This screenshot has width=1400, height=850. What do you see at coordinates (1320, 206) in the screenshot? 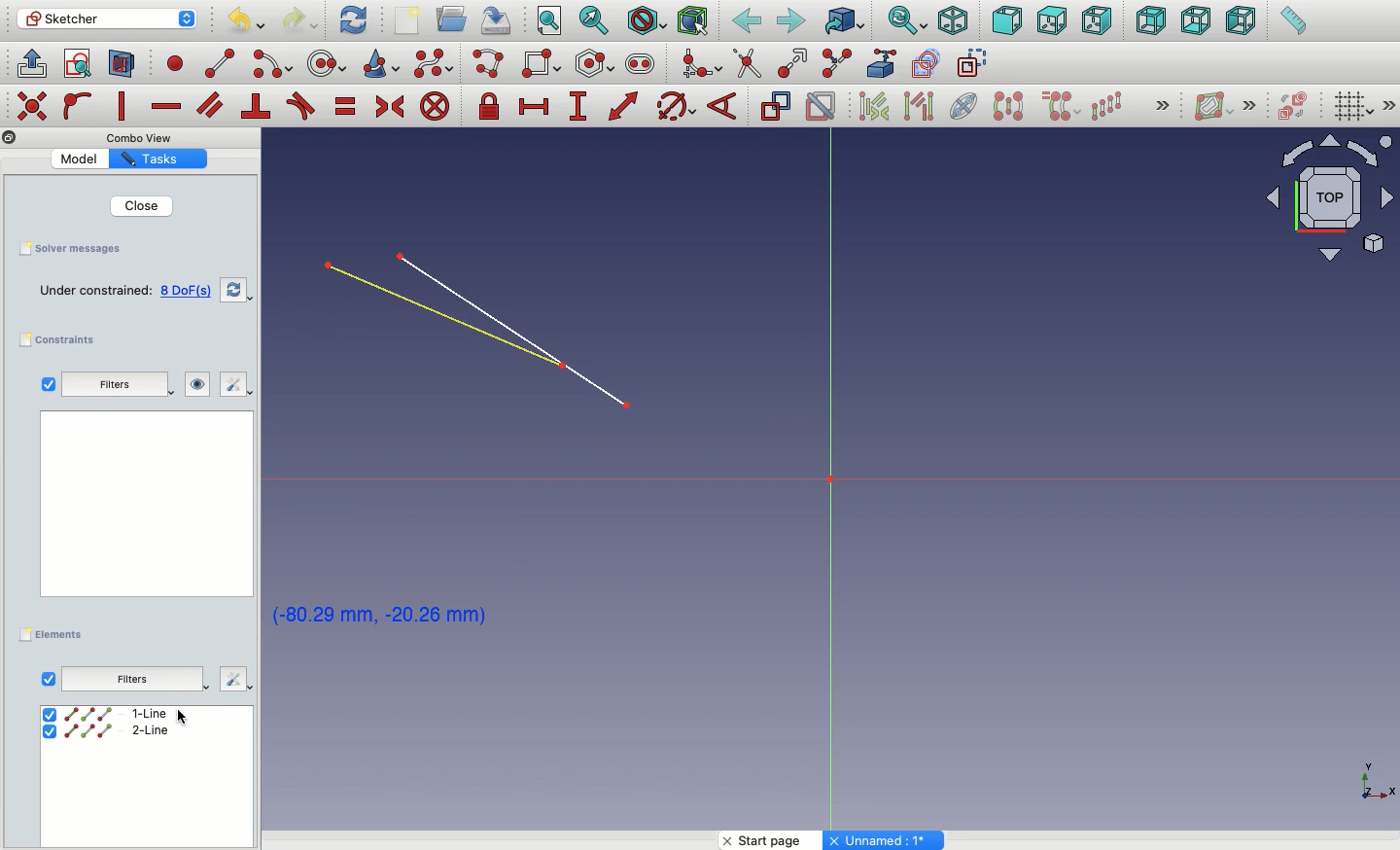
I see `` at bounding box center [1320, 206].